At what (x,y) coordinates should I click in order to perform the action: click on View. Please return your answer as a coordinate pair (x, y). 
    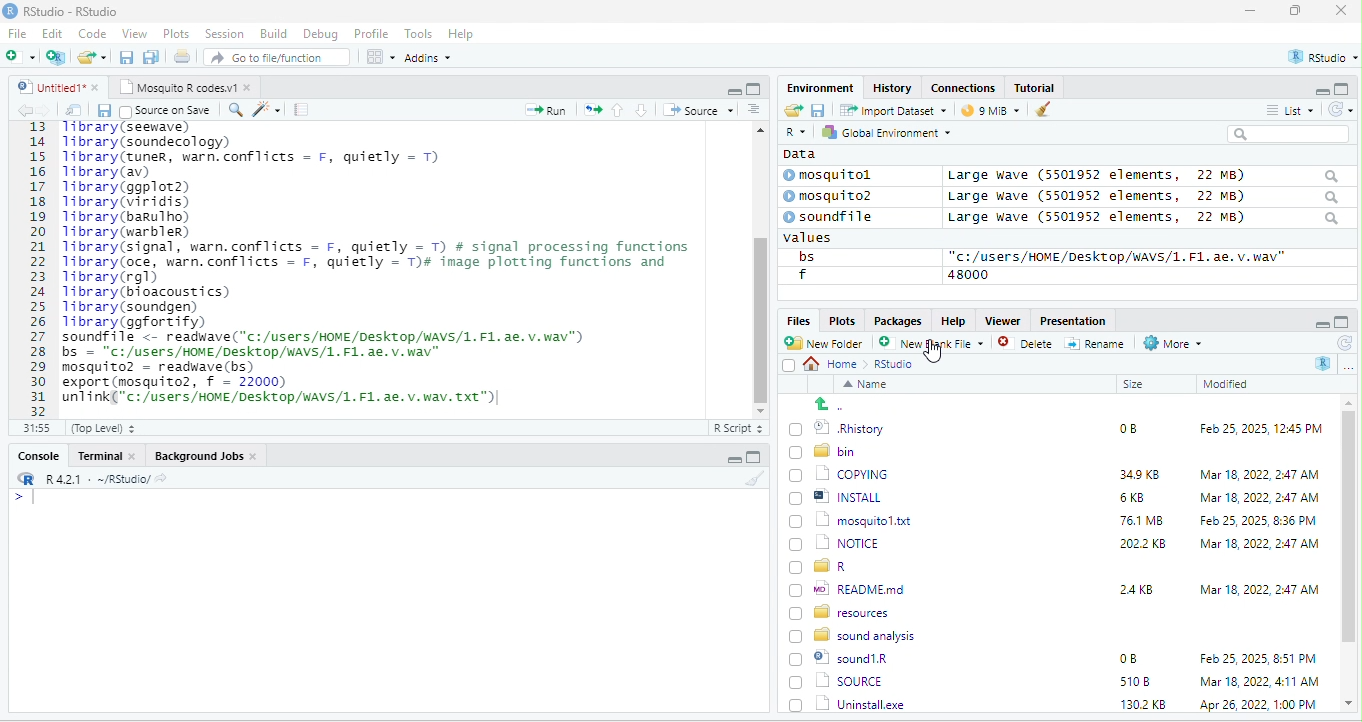
    Looking at the image, I should click on (133, 35).